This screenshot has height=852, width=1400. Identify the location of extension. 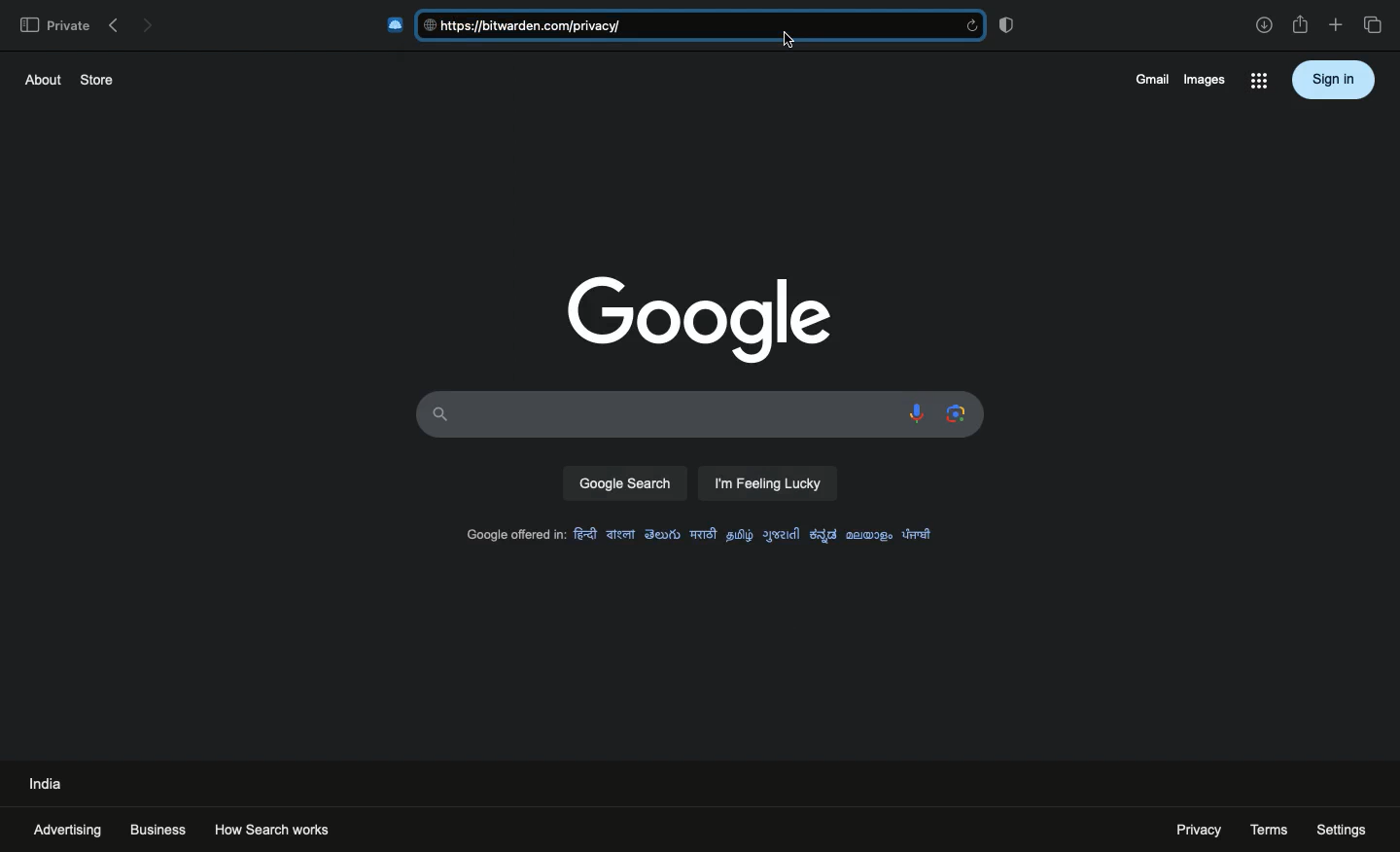
(393, 24).